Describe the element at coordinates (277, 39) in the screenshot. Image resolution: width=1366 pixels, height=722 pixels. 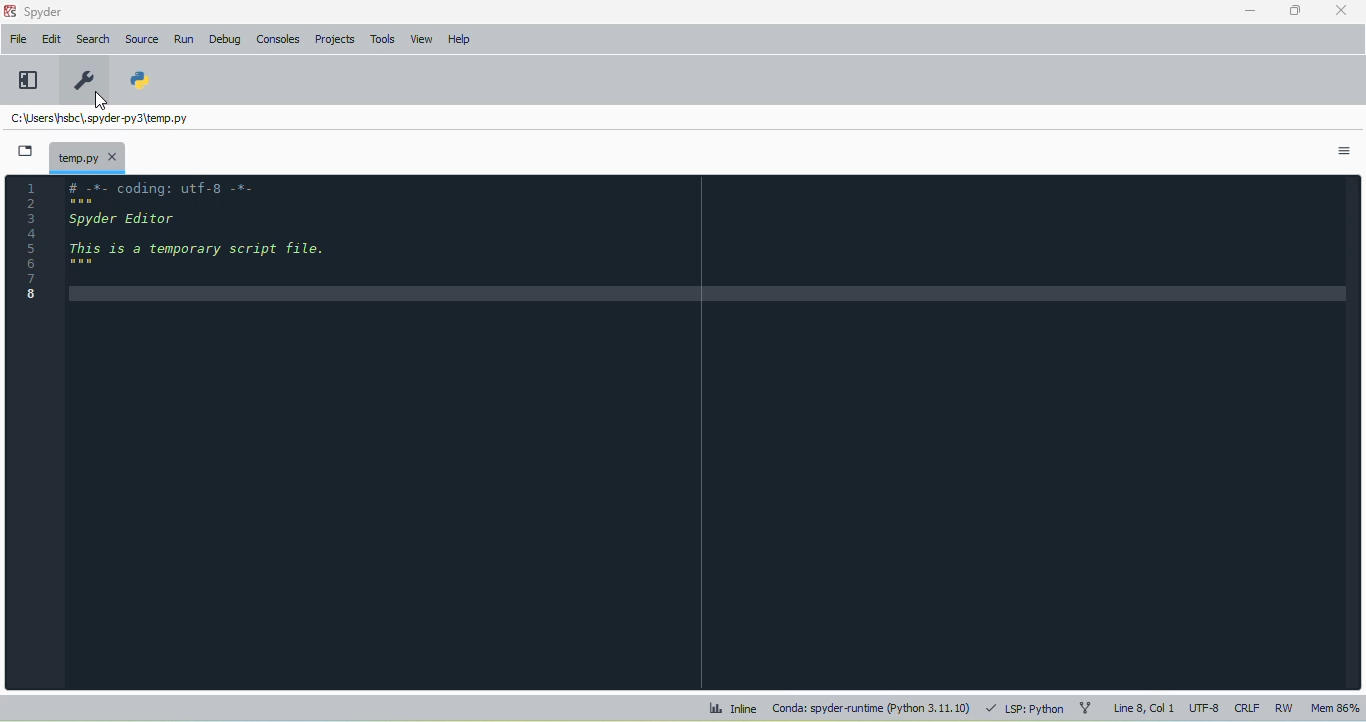
I see `consoles` at that location.